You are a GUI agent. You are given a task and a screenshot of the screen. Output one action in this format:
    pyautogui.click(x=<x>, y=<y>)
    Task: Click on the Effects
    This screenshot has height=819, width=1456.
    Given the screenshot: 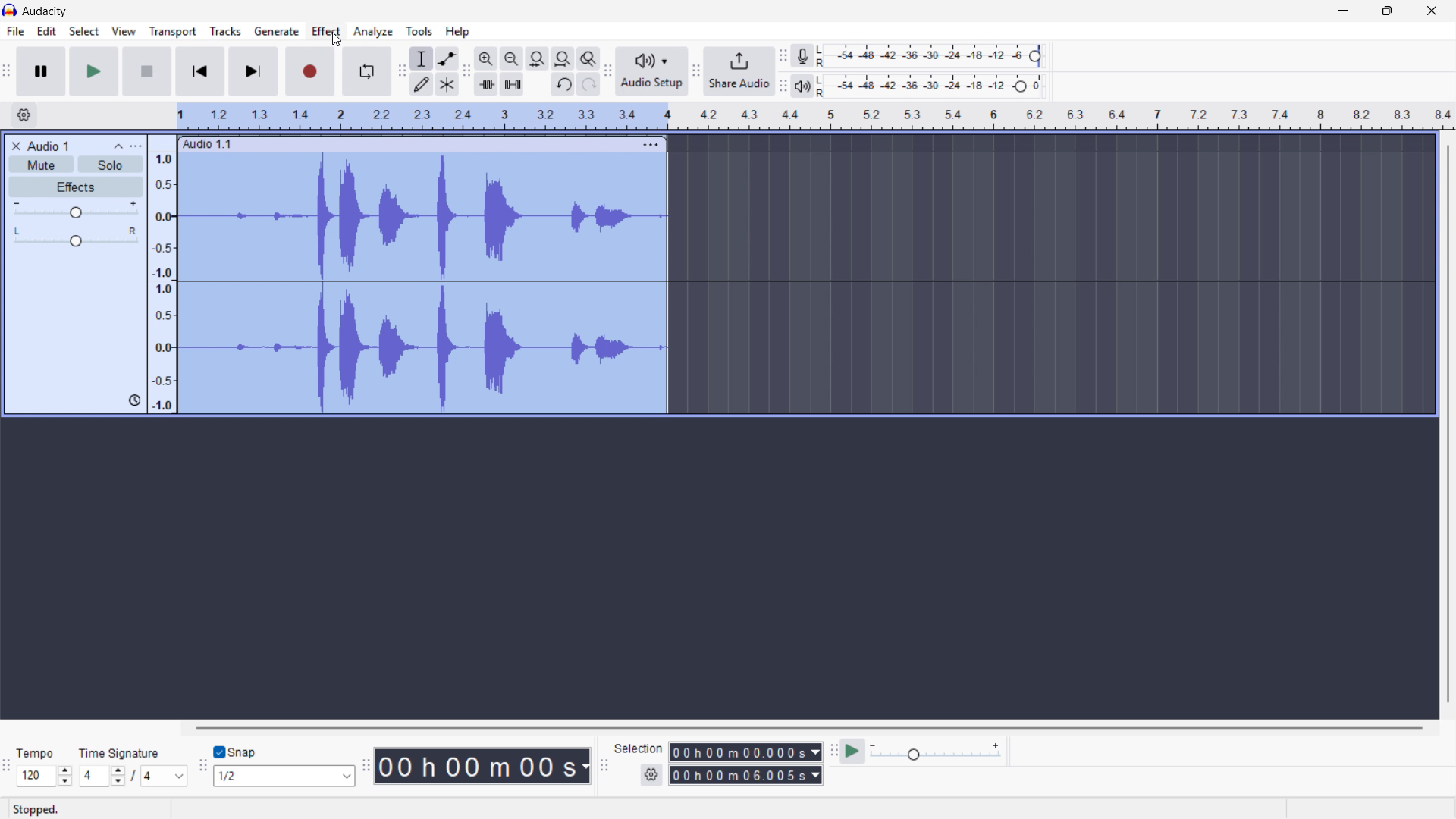 What is the action you would take?
    pyautogui.click(x=77, y=188)
    